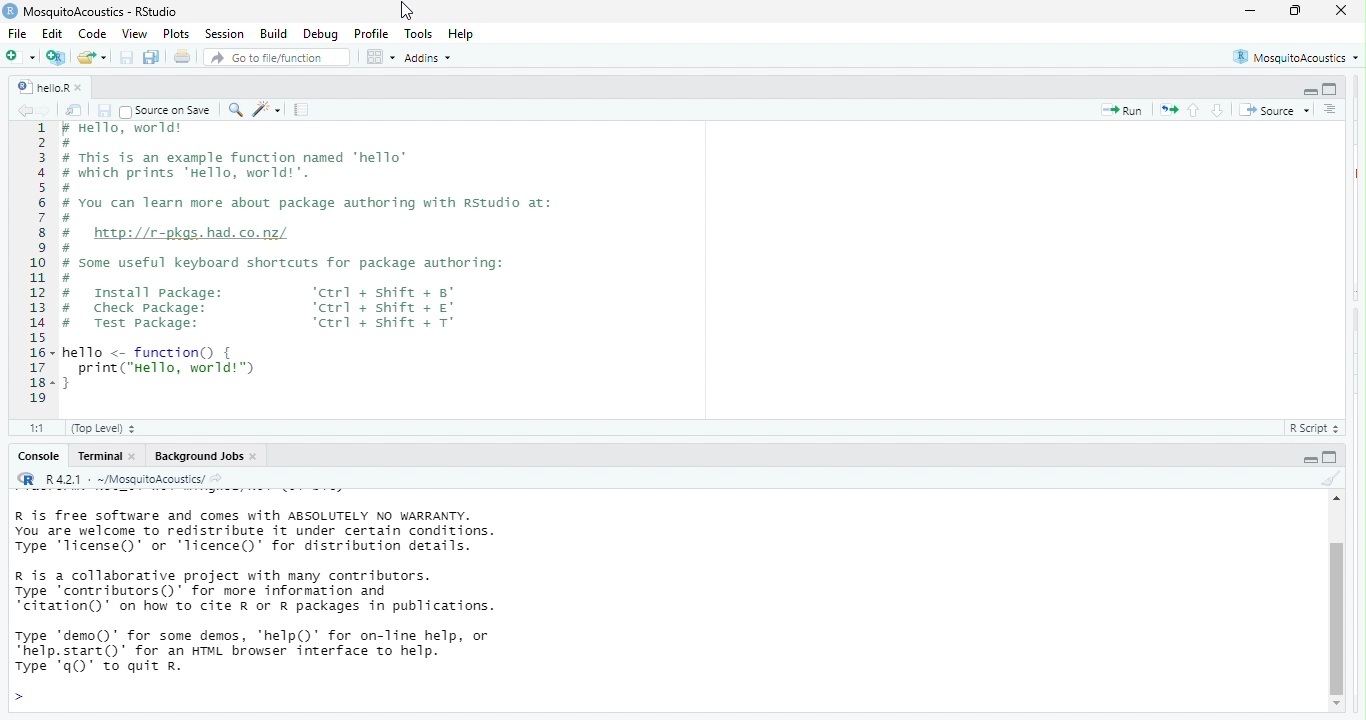 This screenshot has height=720, width=1366. I want to click on Console, so click(35, 459).